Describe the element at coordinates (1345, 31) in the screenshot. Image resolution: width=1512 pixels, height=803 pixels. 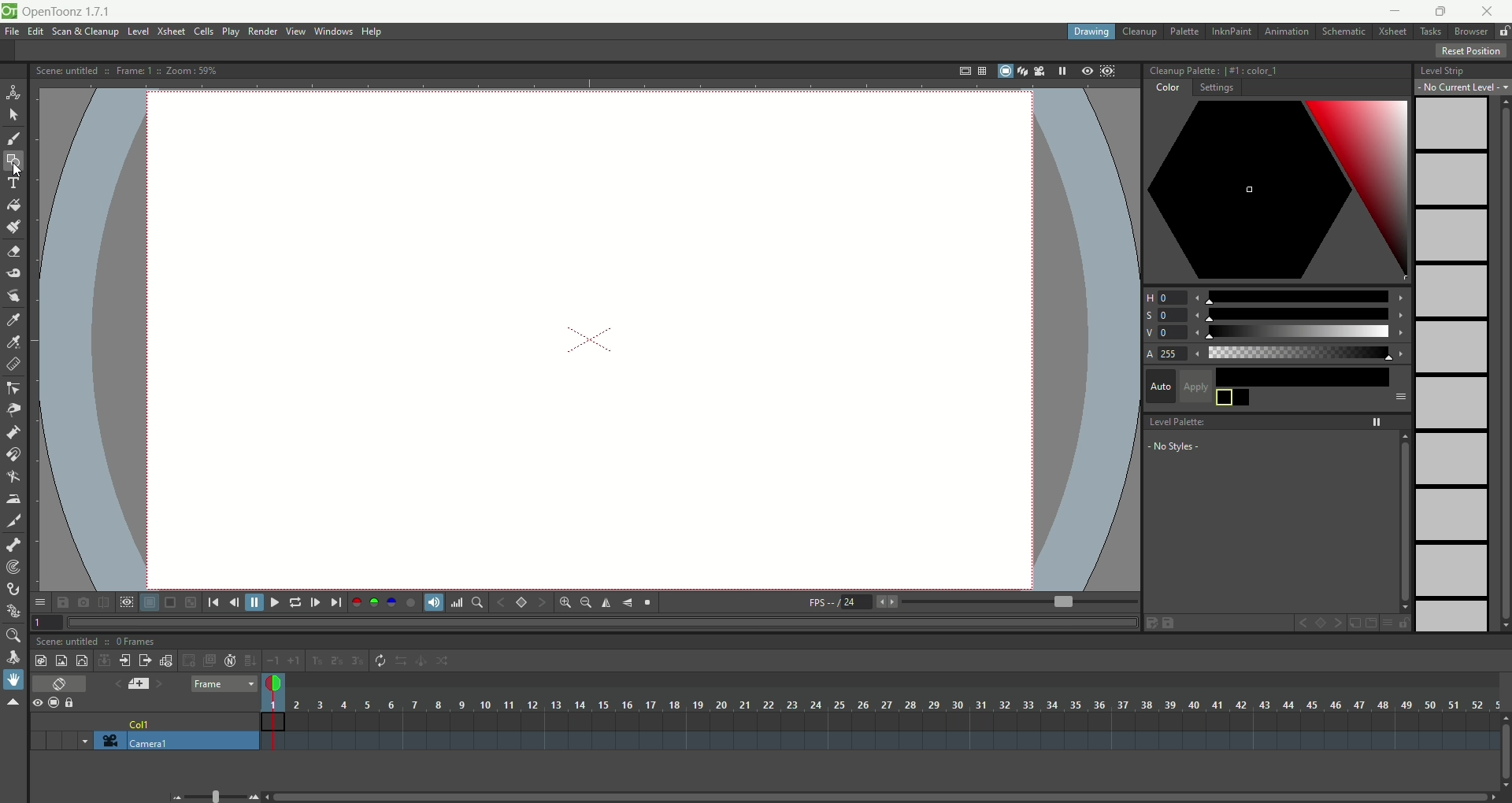
I see `schematic` at that location.